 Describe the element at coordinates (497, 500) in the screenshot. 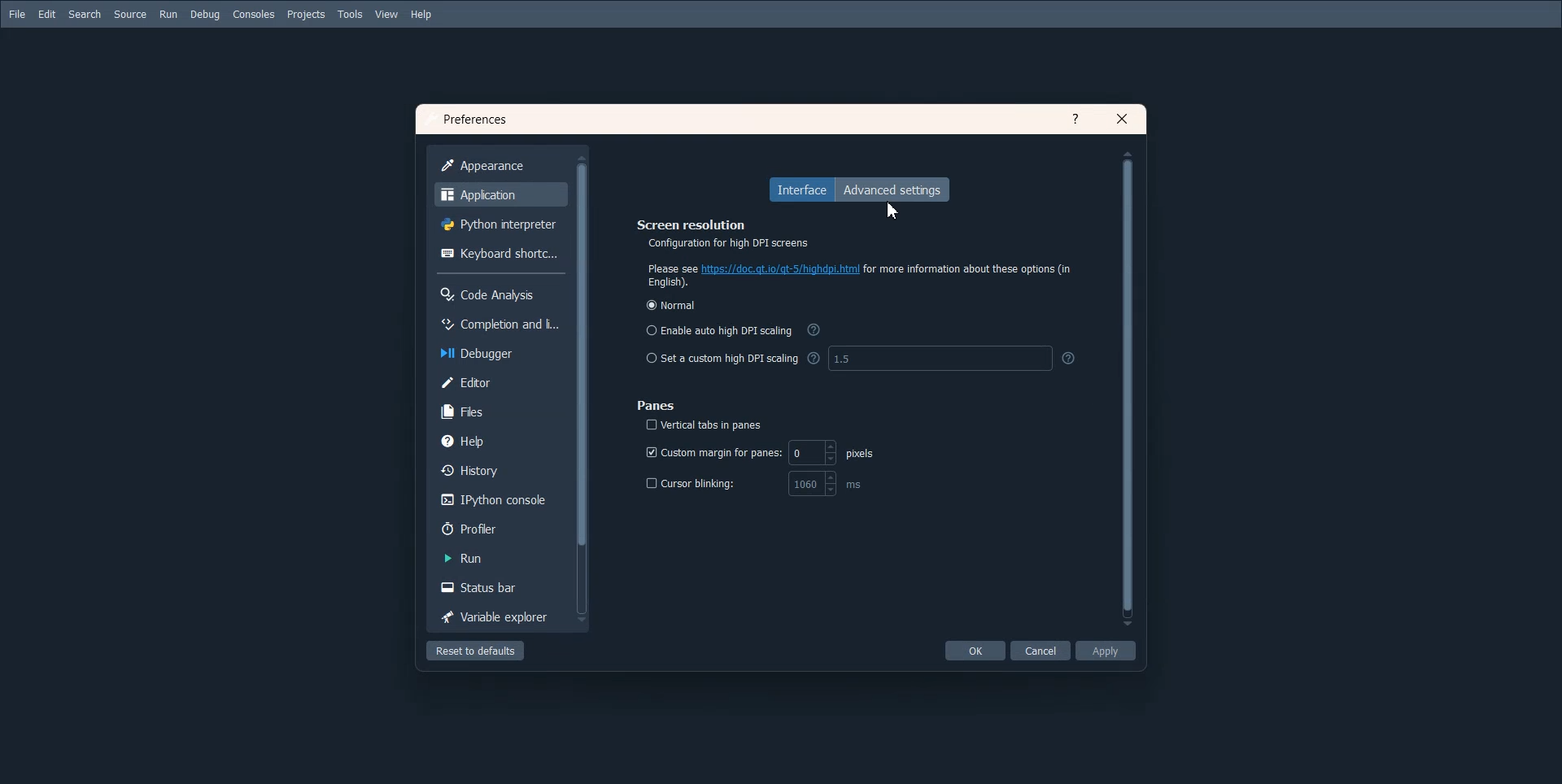

I see `IPython console` at that location.